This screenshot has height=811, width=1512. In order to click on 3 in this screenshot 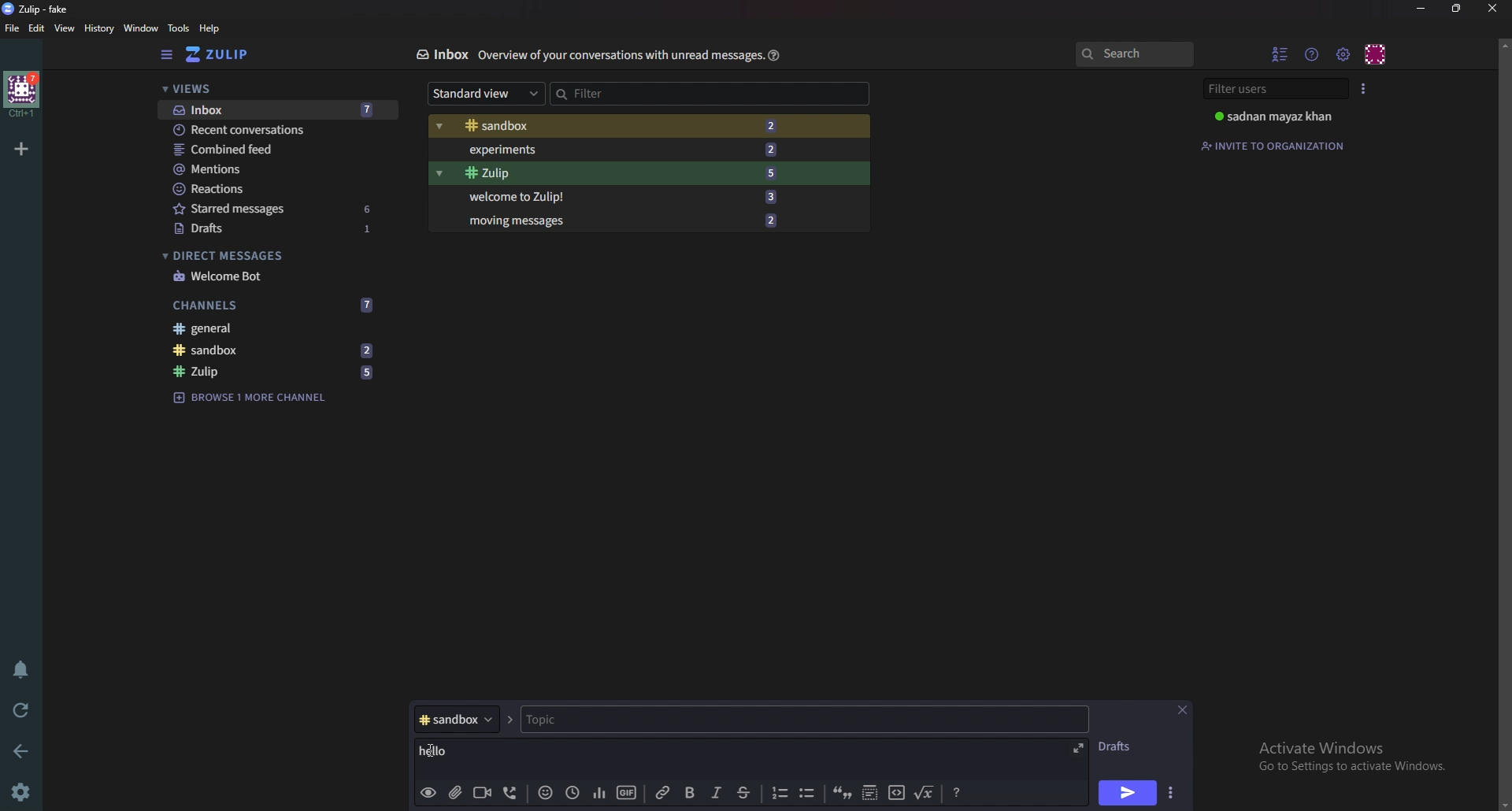, I will do `click(777, 198)`.